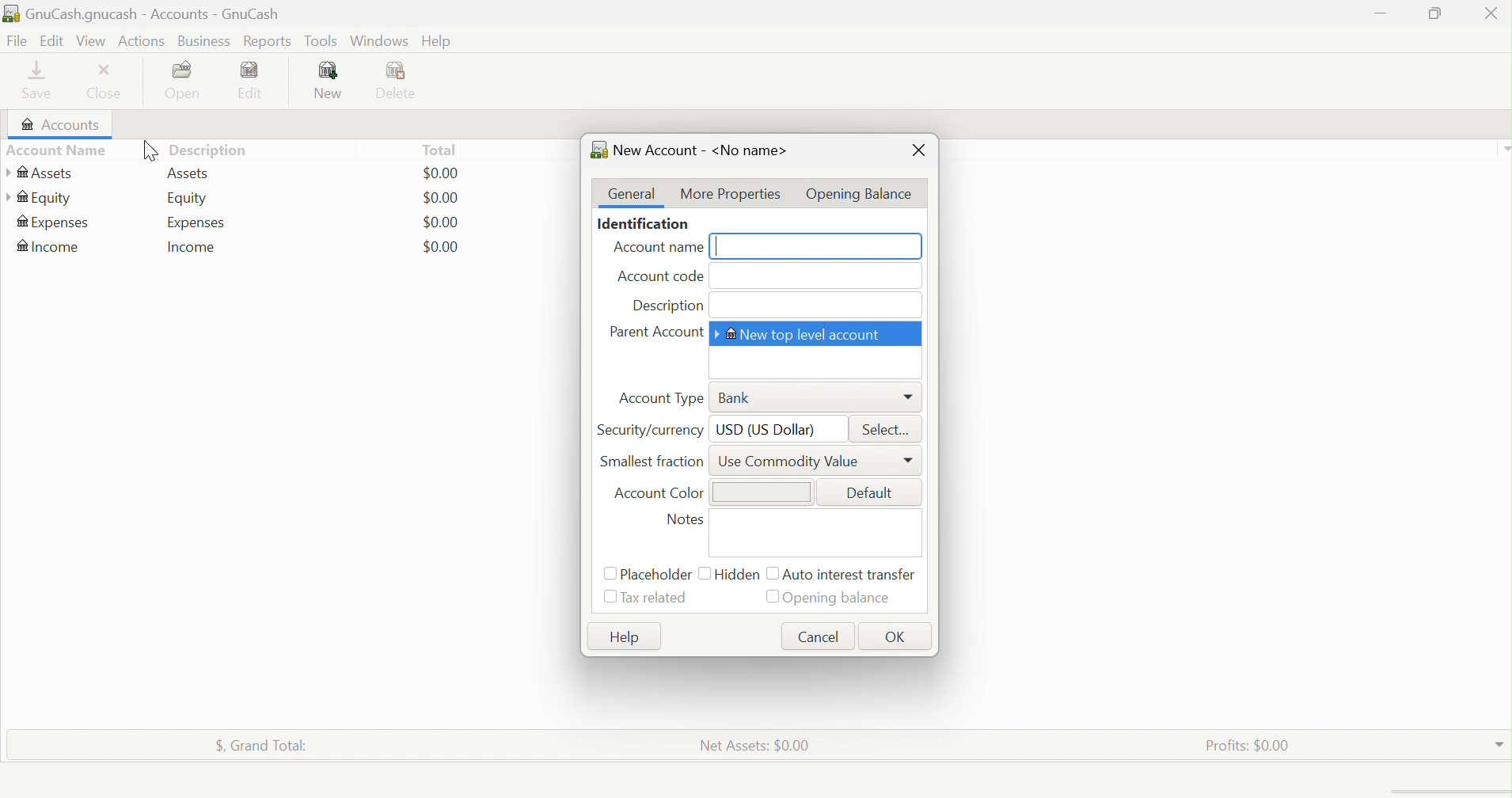 The height and width of the screenshot is (798, 1512). What do you see at coordinates (15, 41) in the screenshot?
I see `File` at bounding box center [15, 41].